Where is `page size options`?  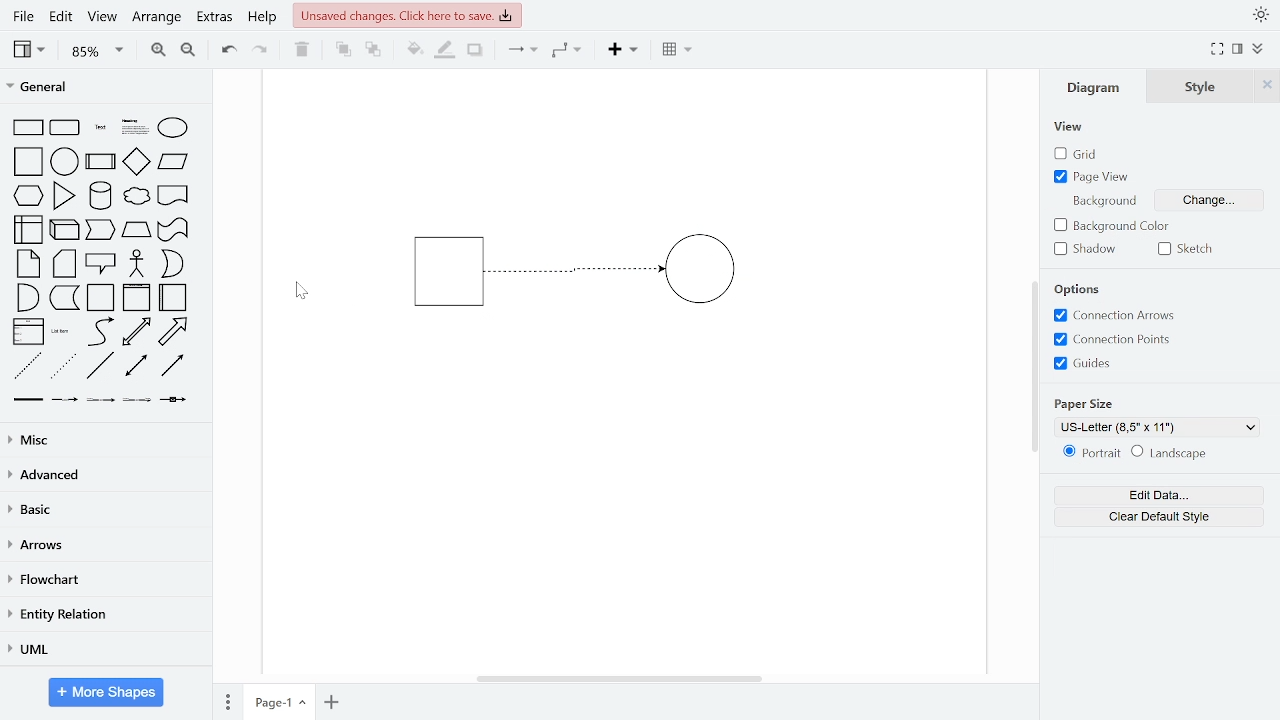 page size options is located at coordinates (1095, 403).